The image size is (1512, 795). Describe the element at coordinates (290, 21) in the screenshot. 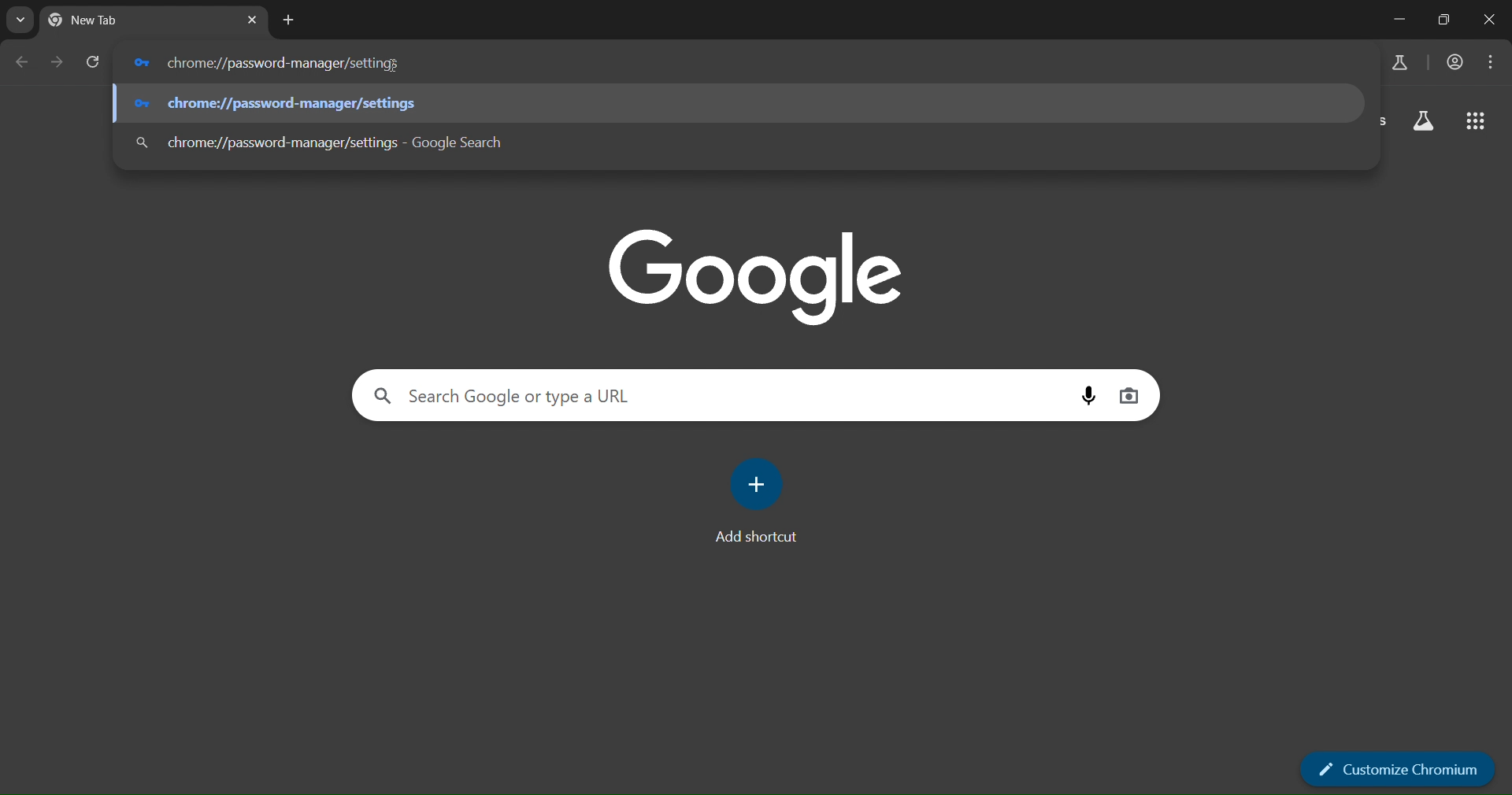

I see `new tab` at that location.